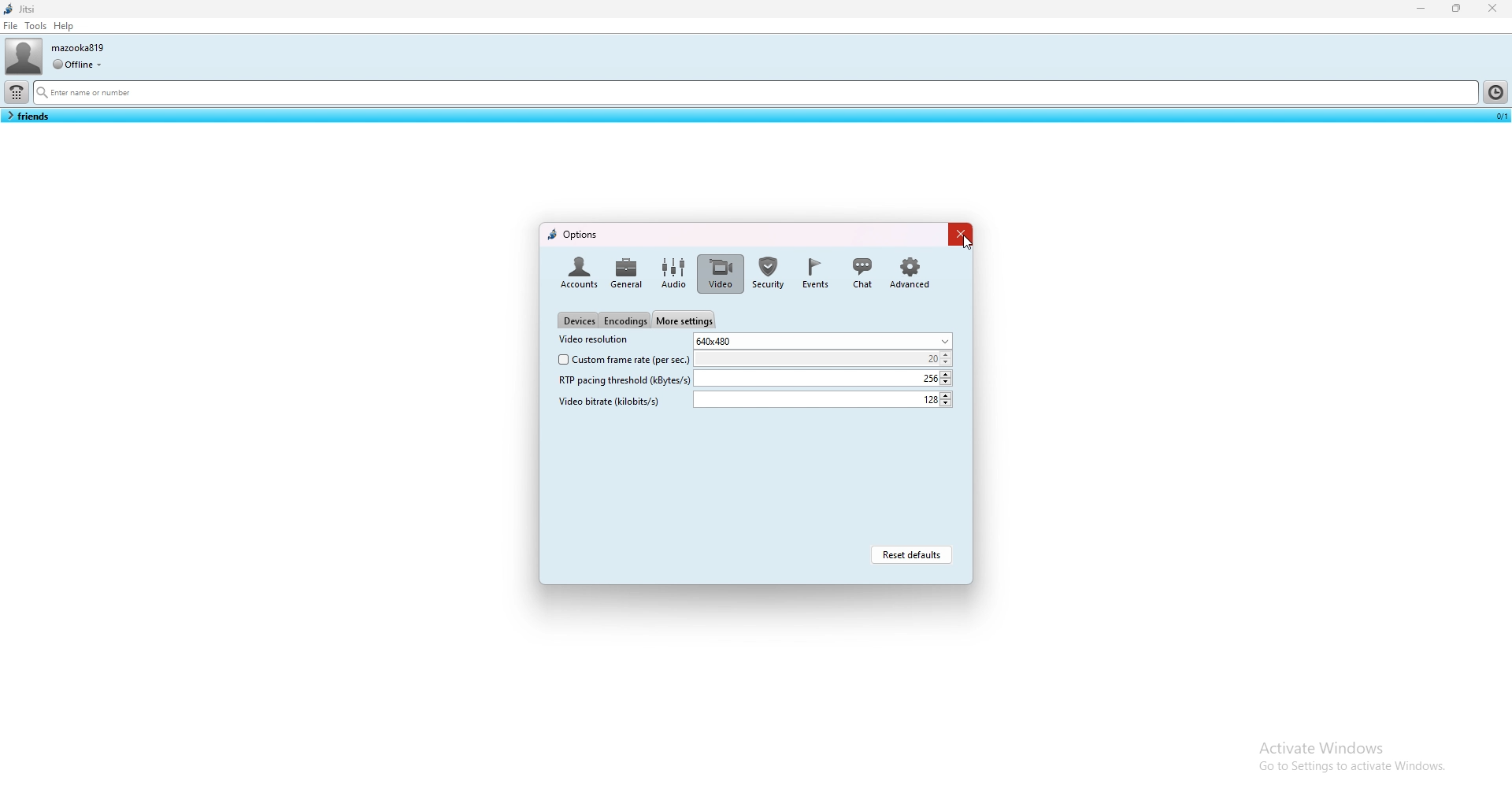 The image size is (1512, 811). What do you see at coordinates (823, 378) in the screenshot?
I see `256` at bounding box center [823, 378].